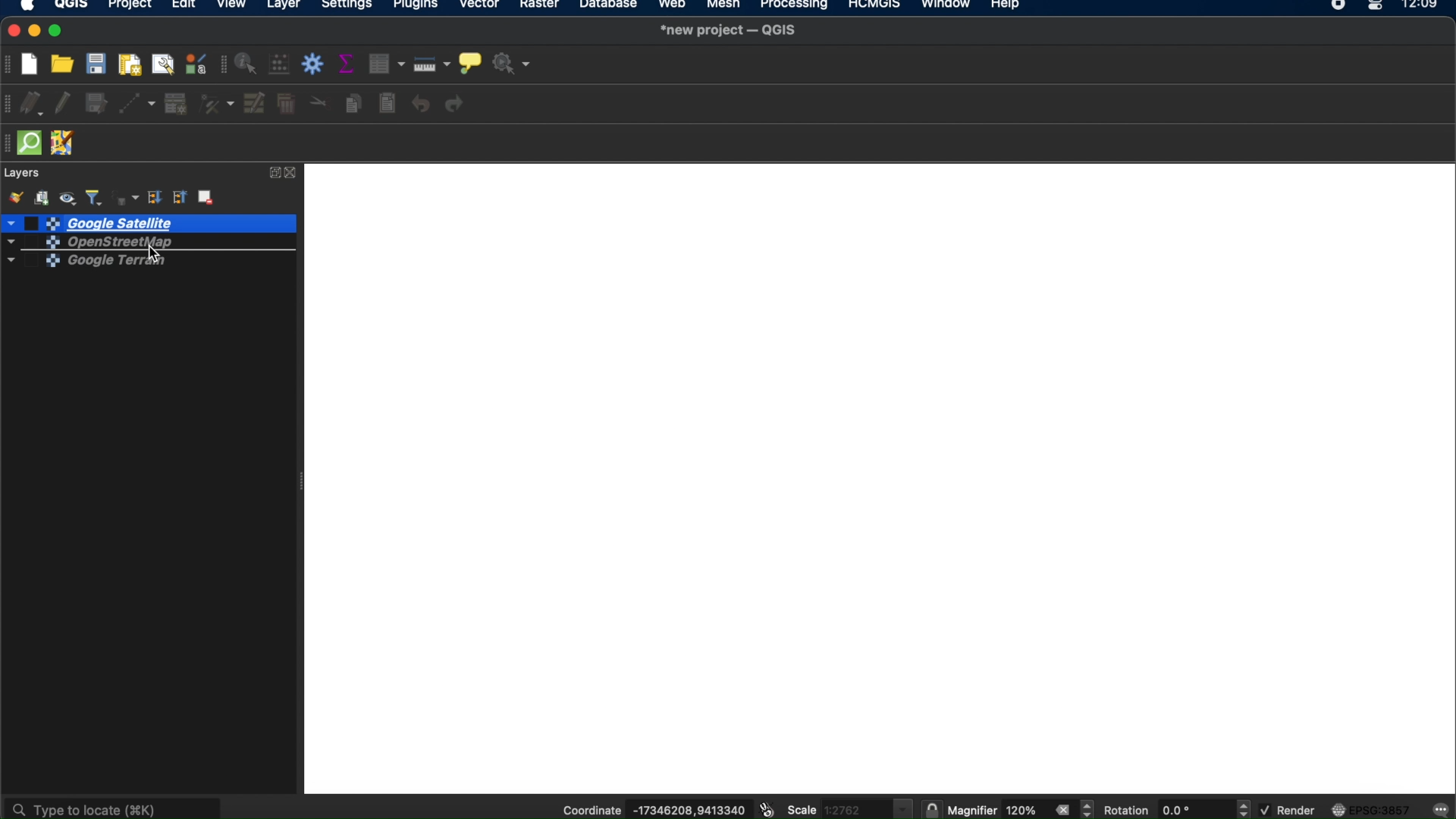 Image resolution: width=1456 pixels, height=819 pixels. Describe the element at coordinates (97, 64) in the screenshot. I see `save project t` at that location.